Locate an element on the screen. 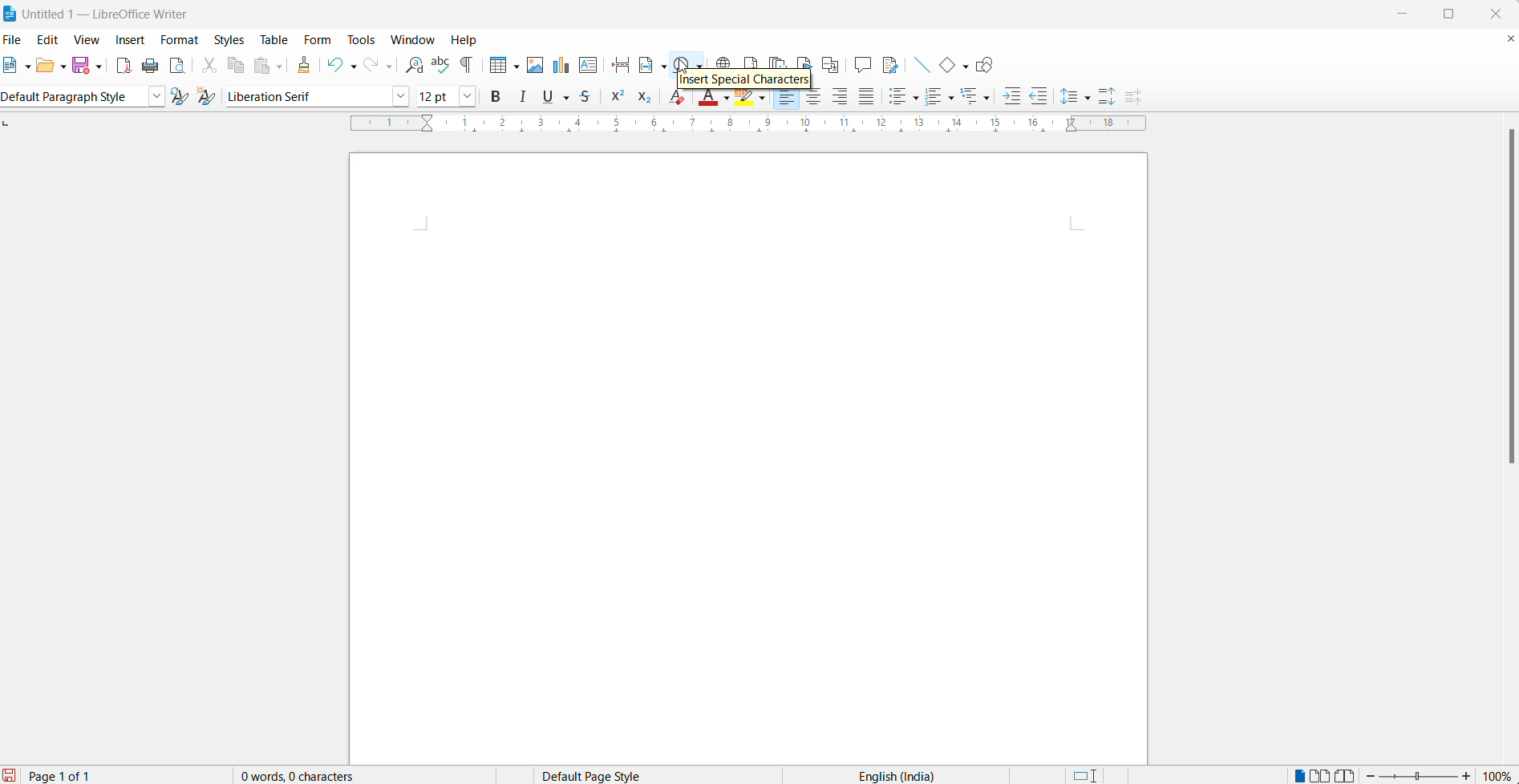  cursor is located at coordinates (683, 64).